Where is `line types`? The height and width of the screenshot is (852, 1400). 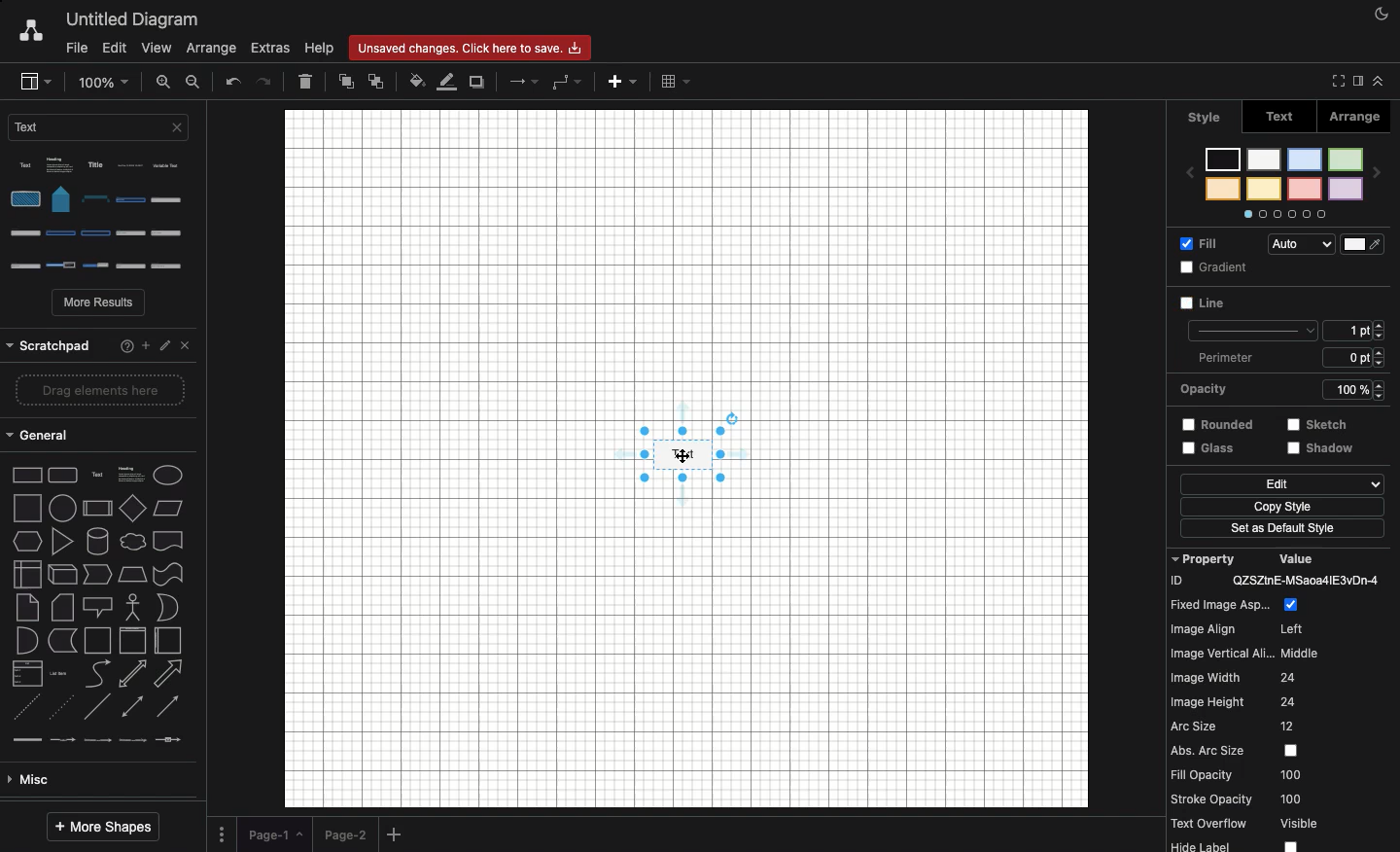 line types is located at coordinates (104, 578).